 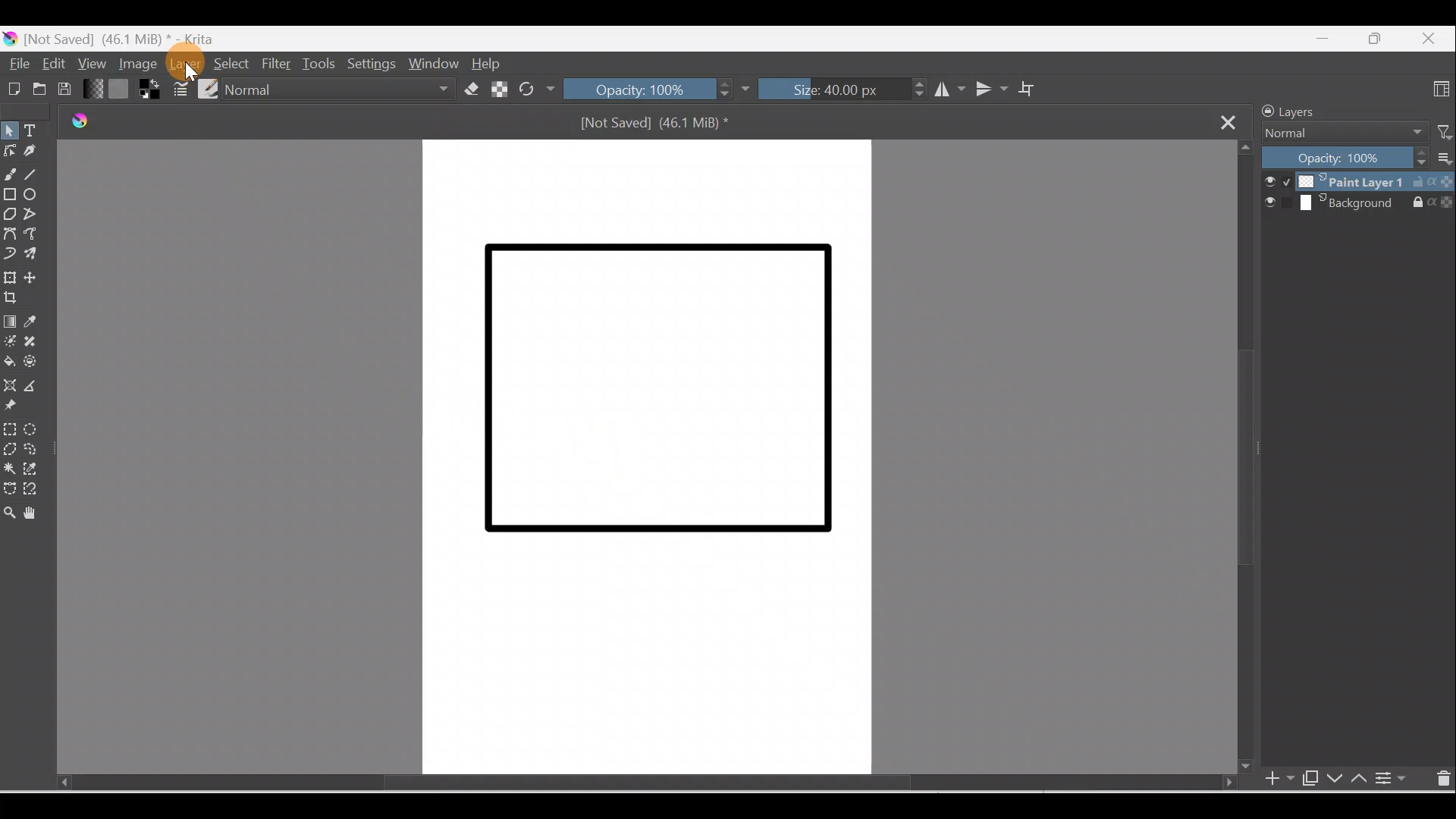 I want to click on Paint Layer 1, so click(x=1357, y=181).